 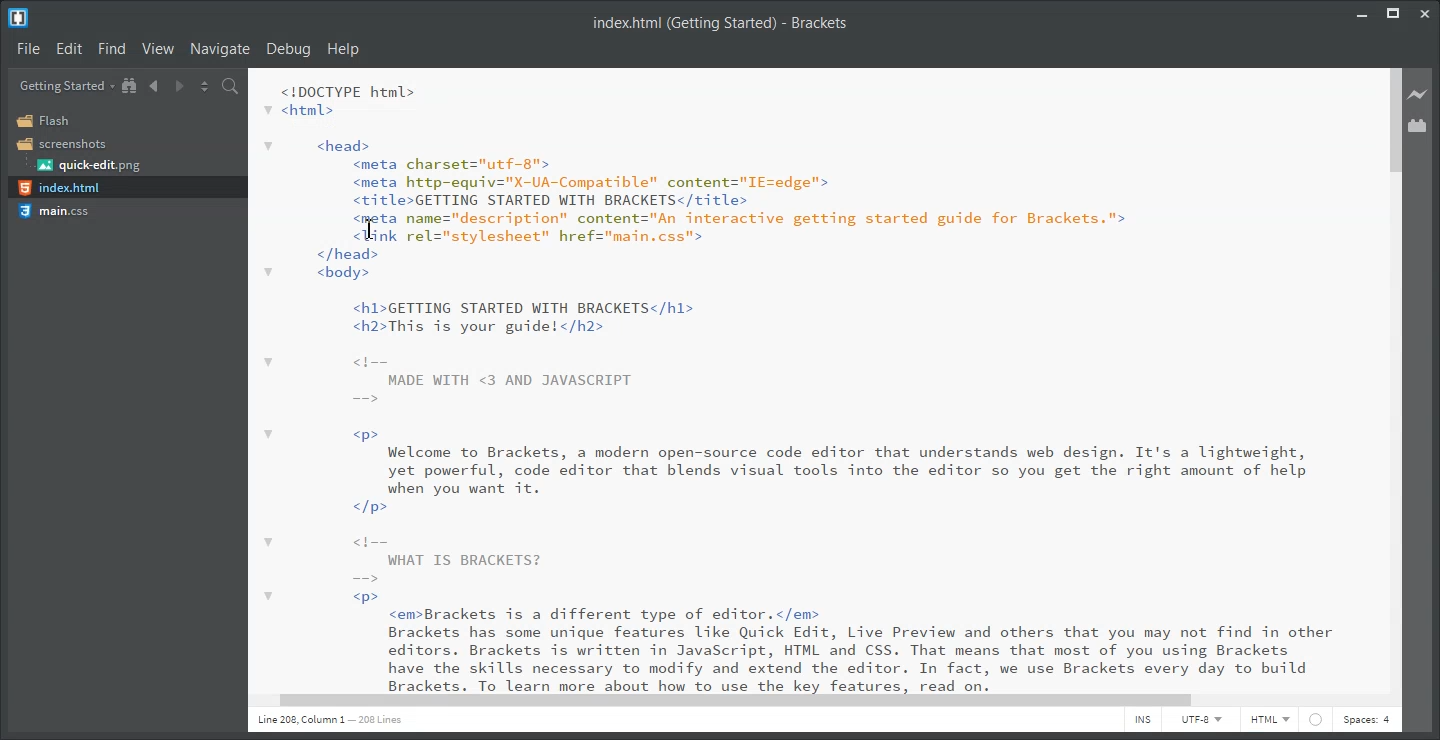 I want to click on Navigate Backward, so click(x=155, y=86).